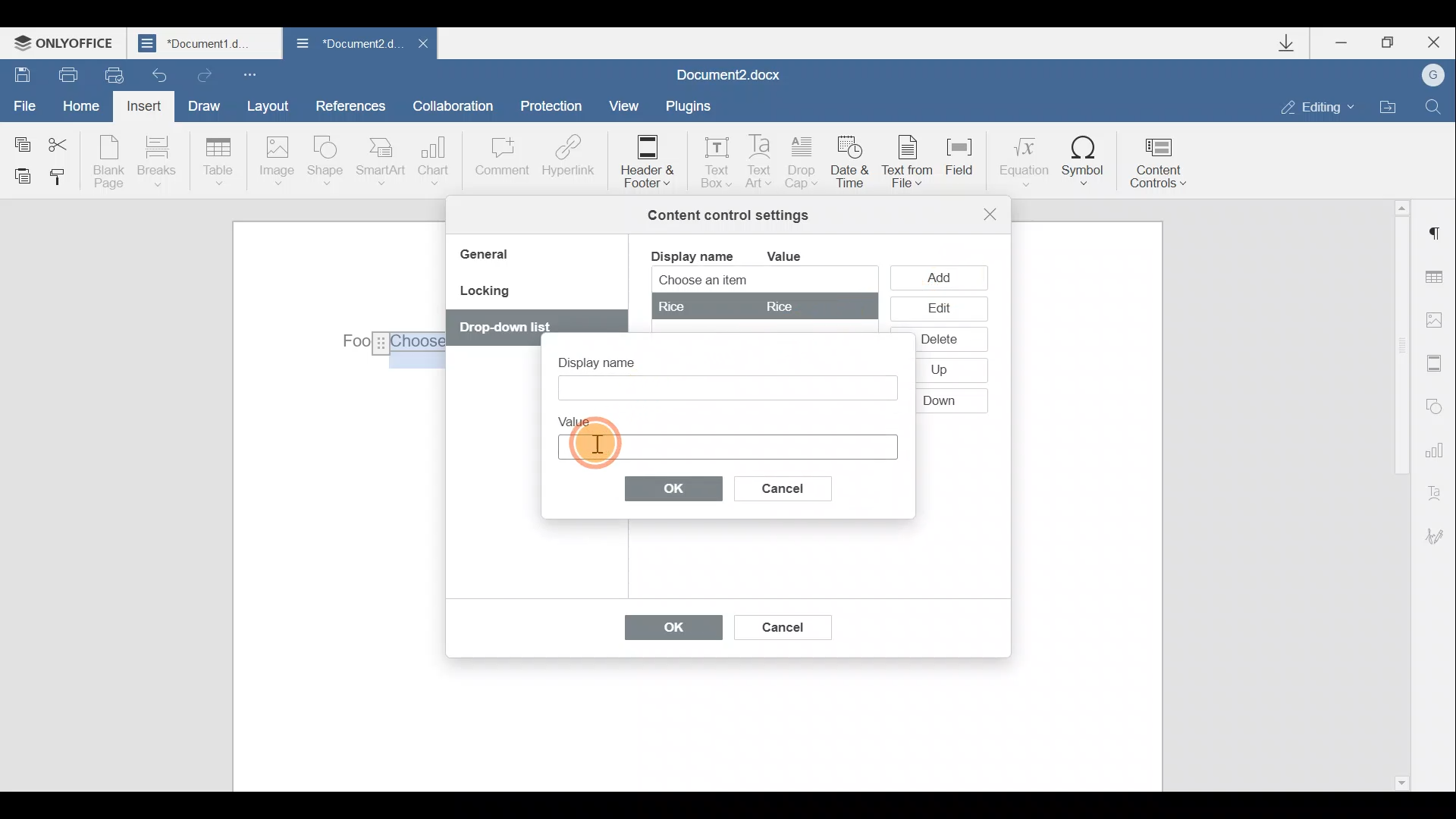  I want to click on Document2 d.., so click(347, 46).